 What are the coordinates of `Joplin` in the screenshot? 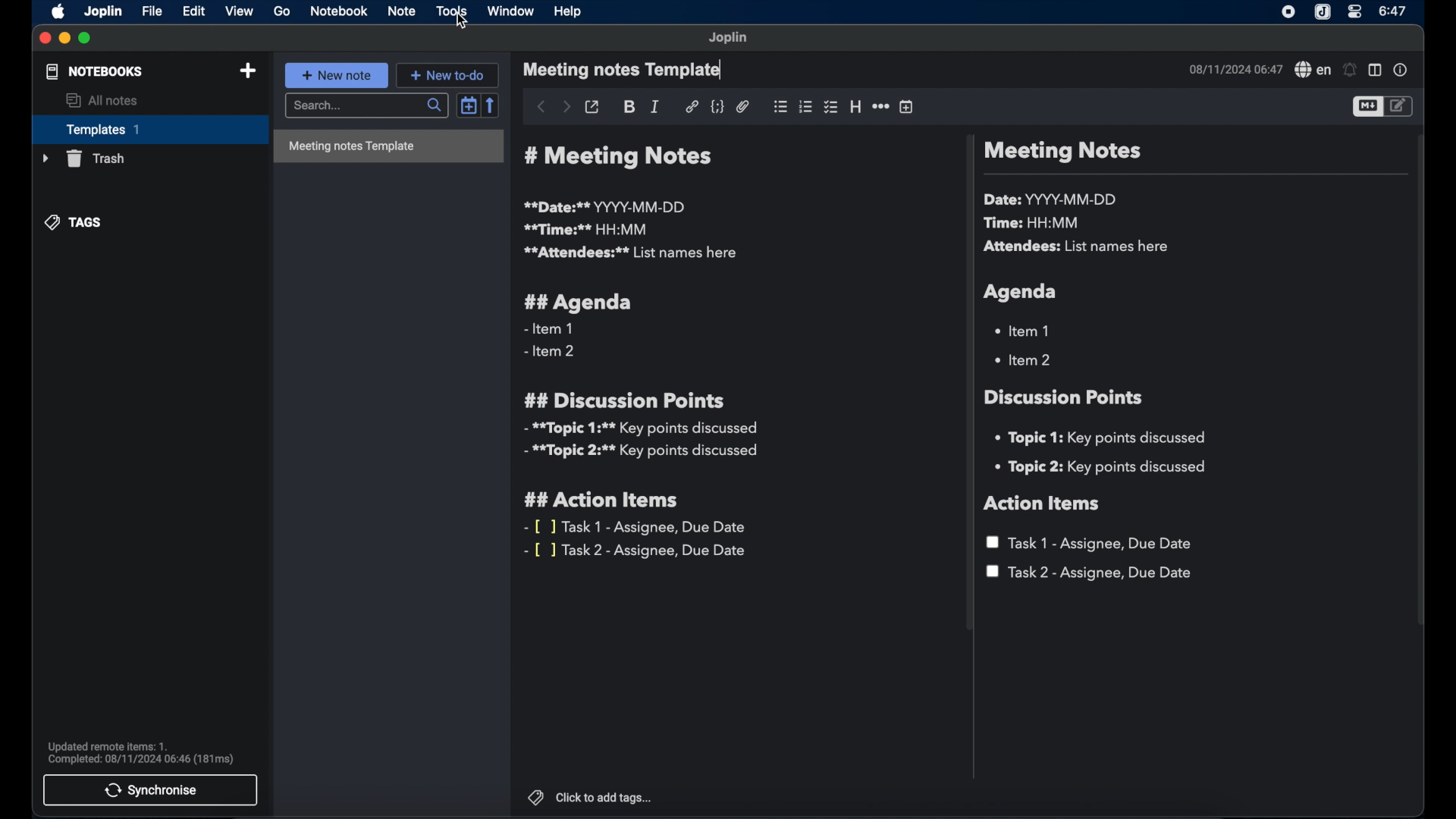 It's located at (1322, 12).